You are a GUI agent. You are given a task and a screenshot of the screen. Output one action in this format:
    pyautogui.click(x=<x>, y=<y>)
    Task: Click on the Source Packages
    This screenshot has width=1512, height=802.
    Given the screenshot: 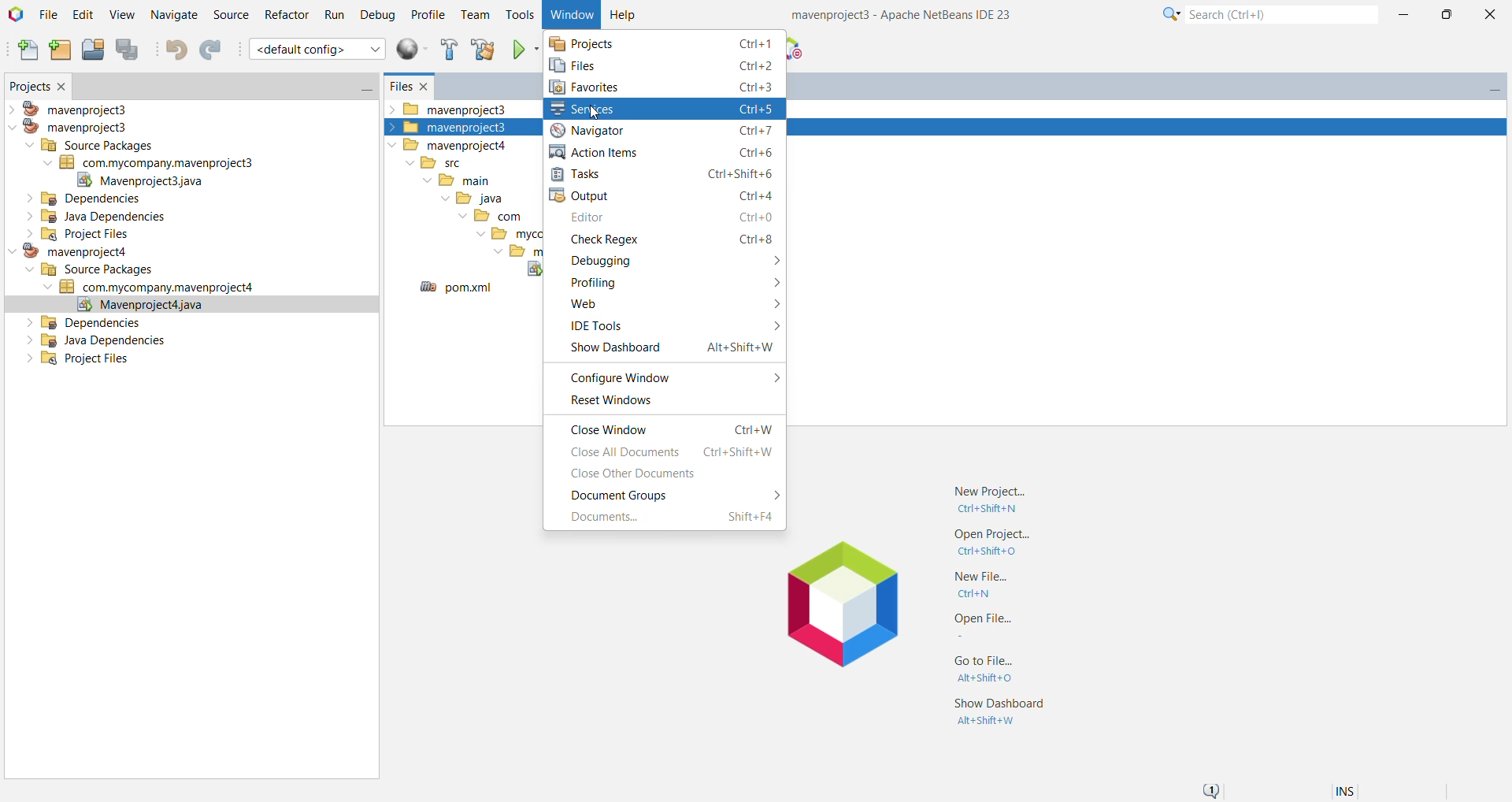 What is the action you would take?
    pyautogui.click(x=90, y=144)
    